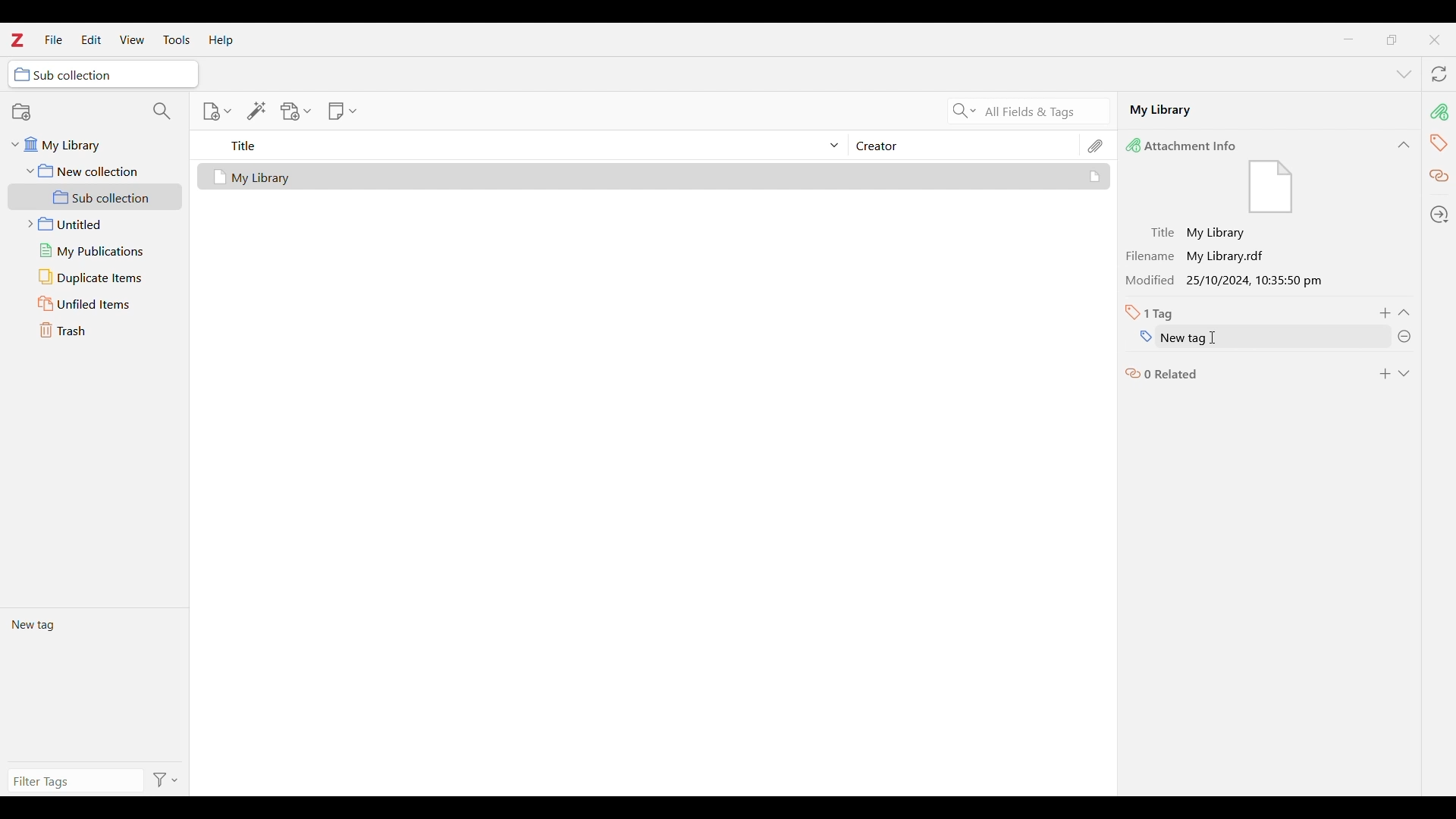 This screenshot has width=1456, height=819. Describe the element at coordinates (1251, 109) in the screenshot. I see `Name of selected file` at that location.